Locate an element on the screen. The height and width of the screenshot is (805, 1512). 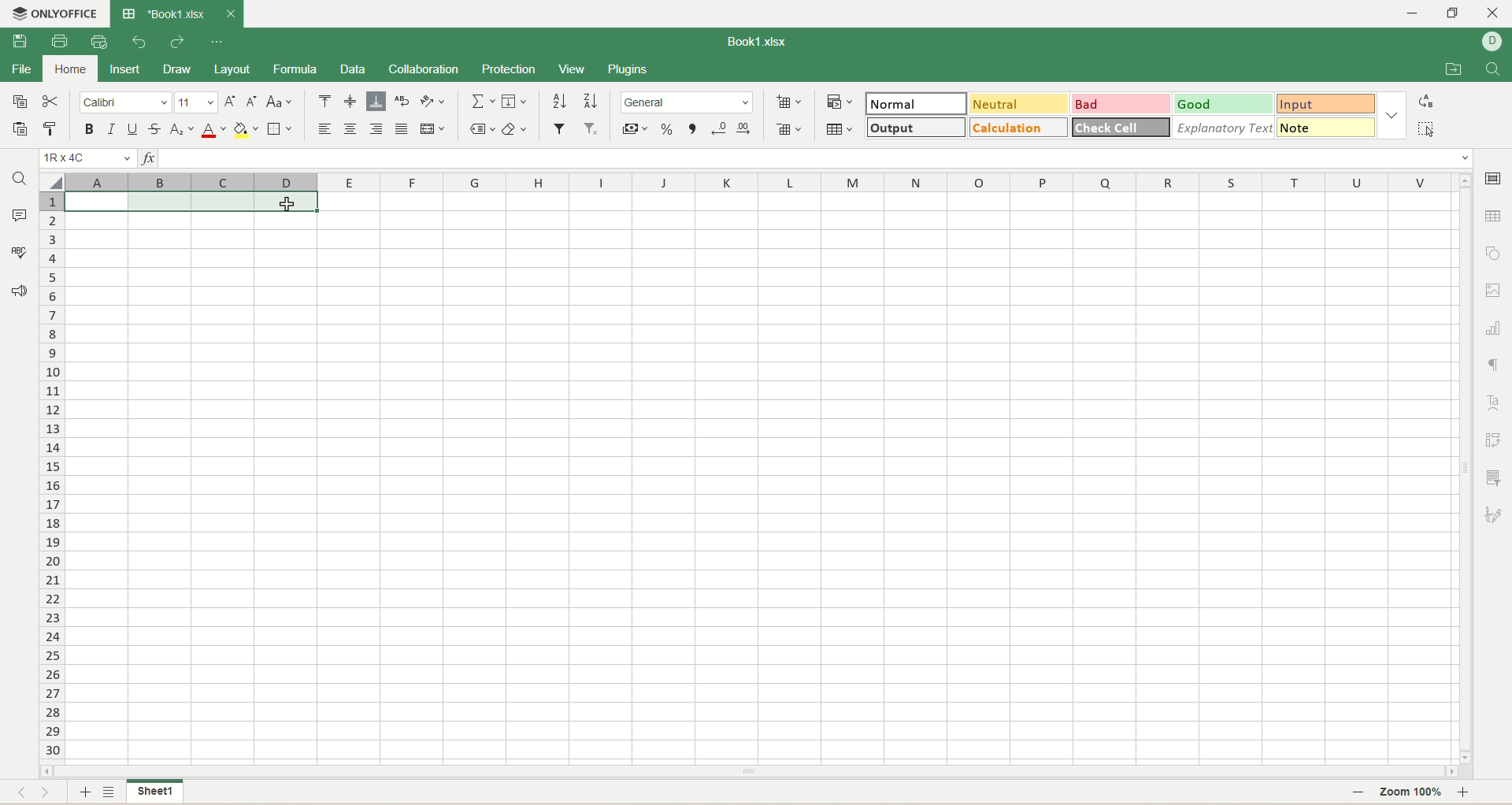
clear is located at coordinates (514, 128).